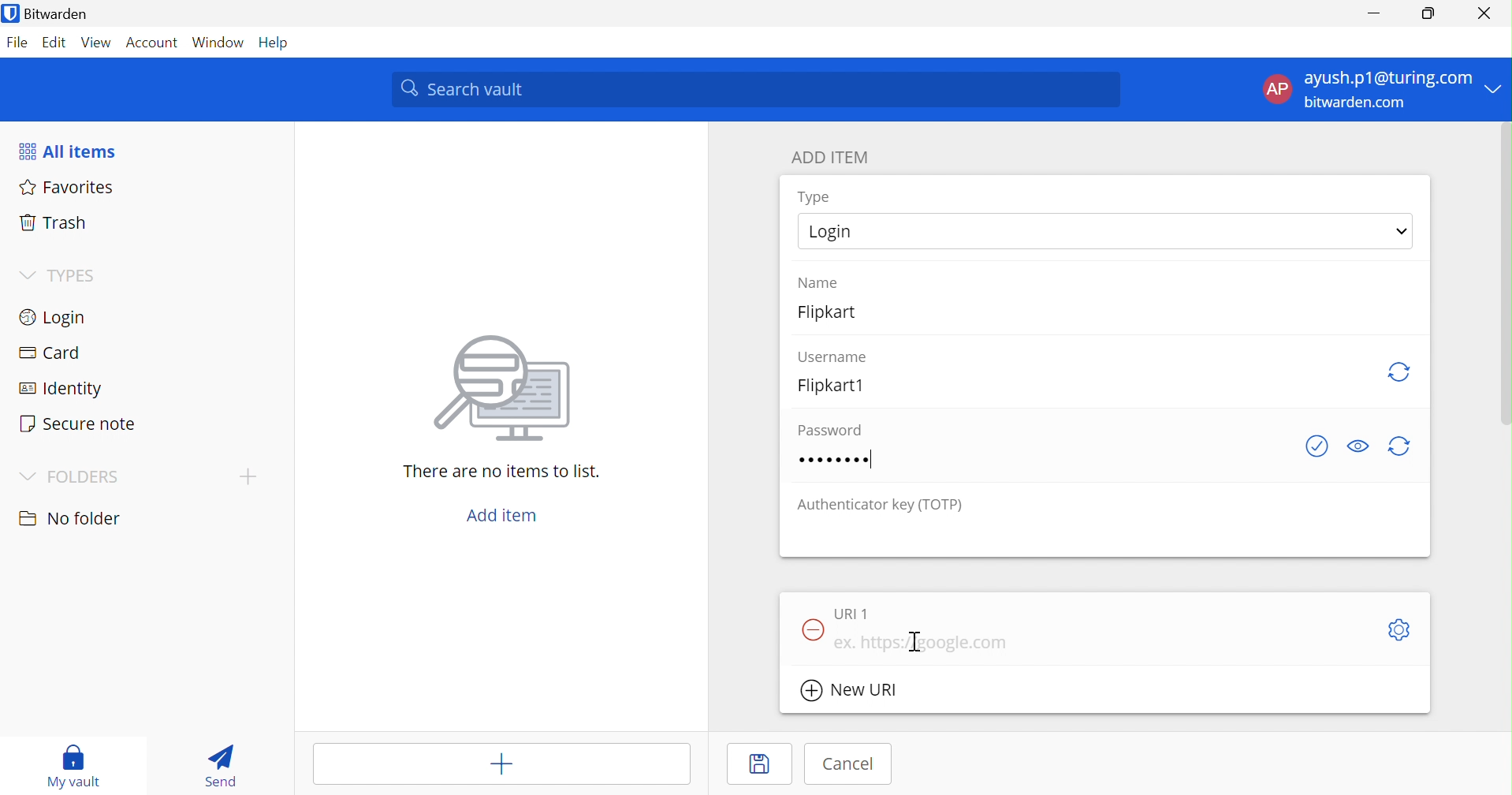 This screenshot has width=1512, height=795. I want to click on Drop Down, so click(1402, 230).